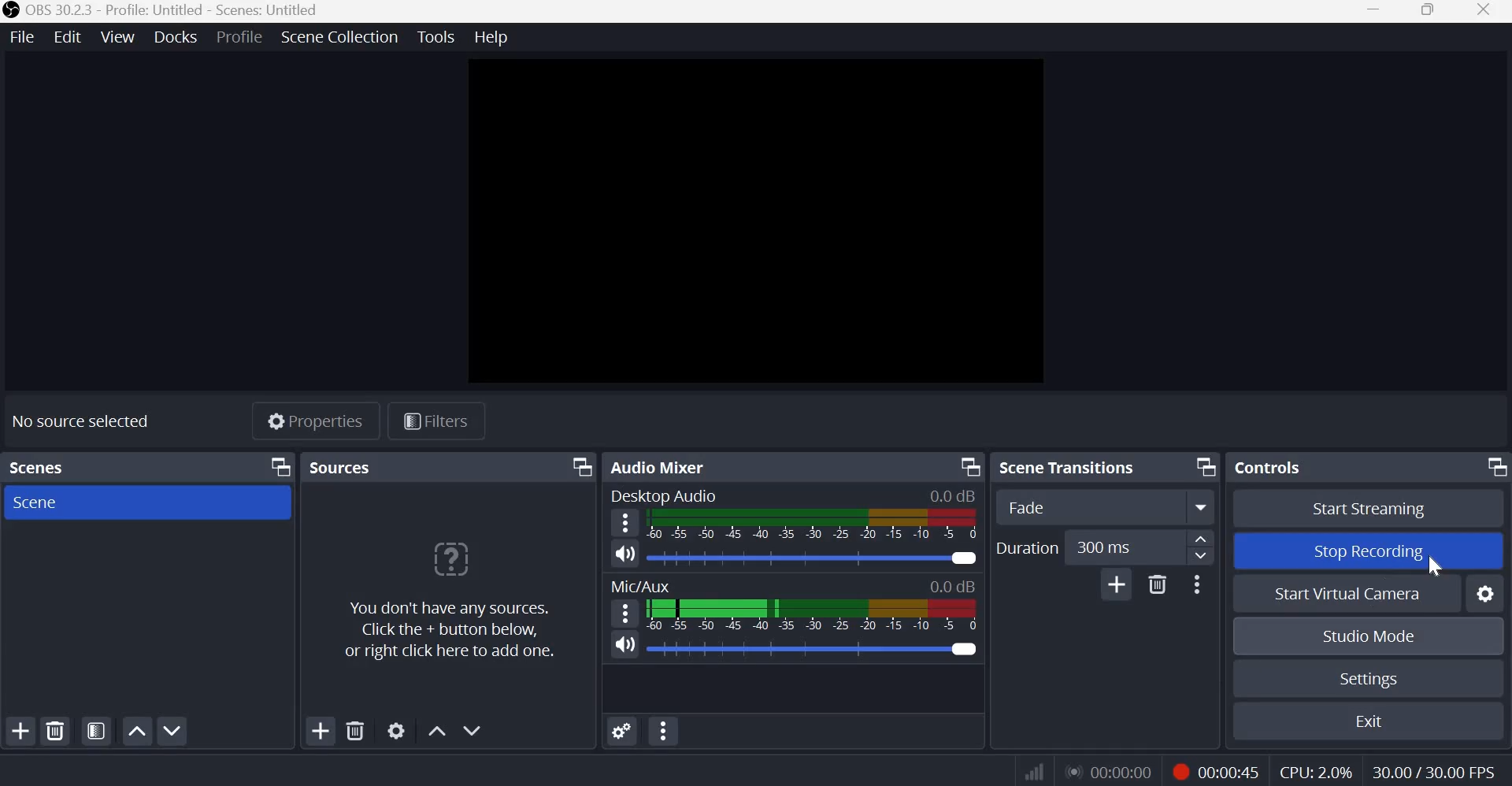 Image resolution: width=1512 pixels, height=786 pixels. Describe the element at coordinates (494, 37) in the screenshot. I see `Help` at that location.